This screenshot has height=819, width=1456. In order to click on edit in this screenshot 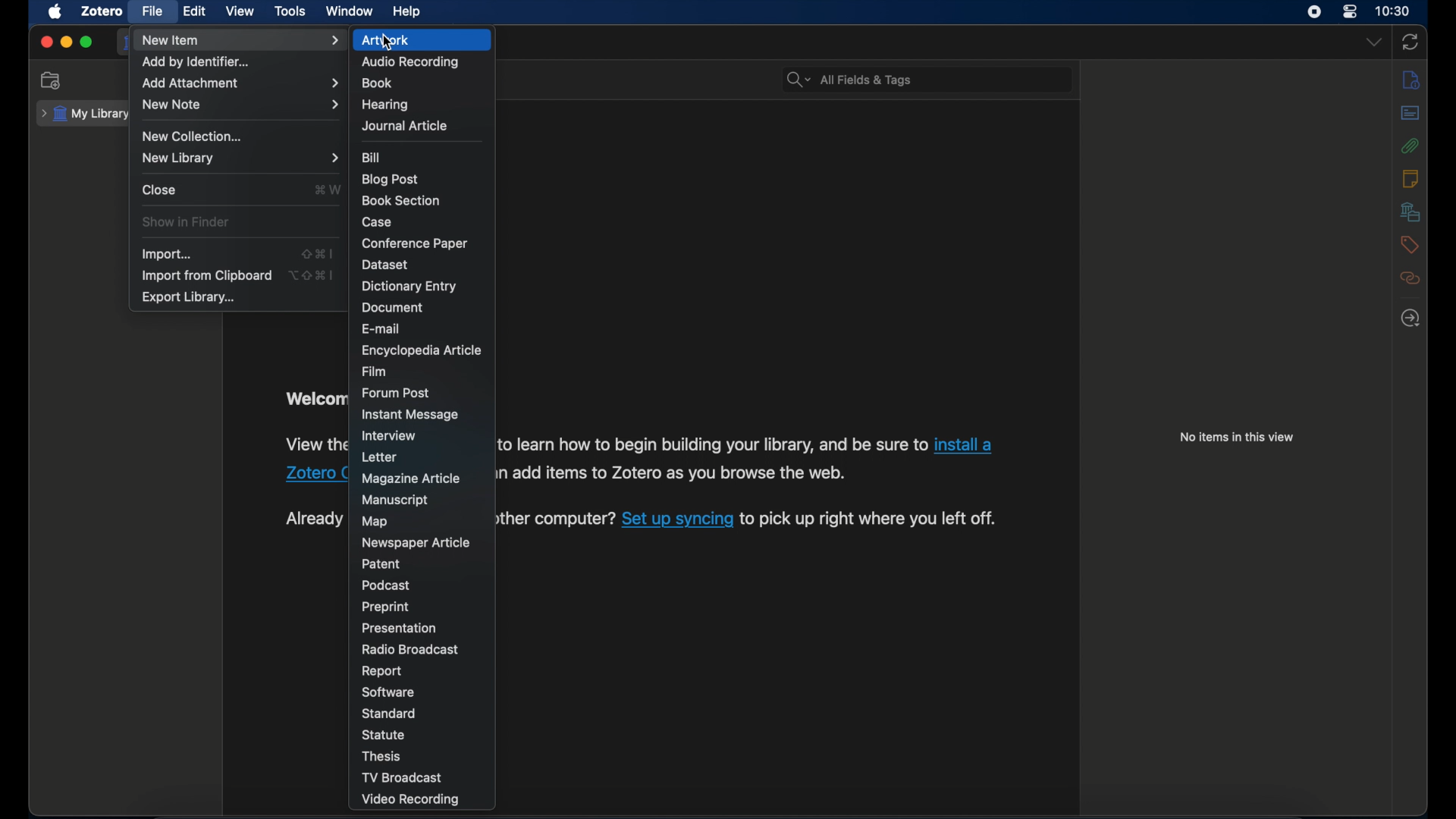, I will do `click(196, 11)`.